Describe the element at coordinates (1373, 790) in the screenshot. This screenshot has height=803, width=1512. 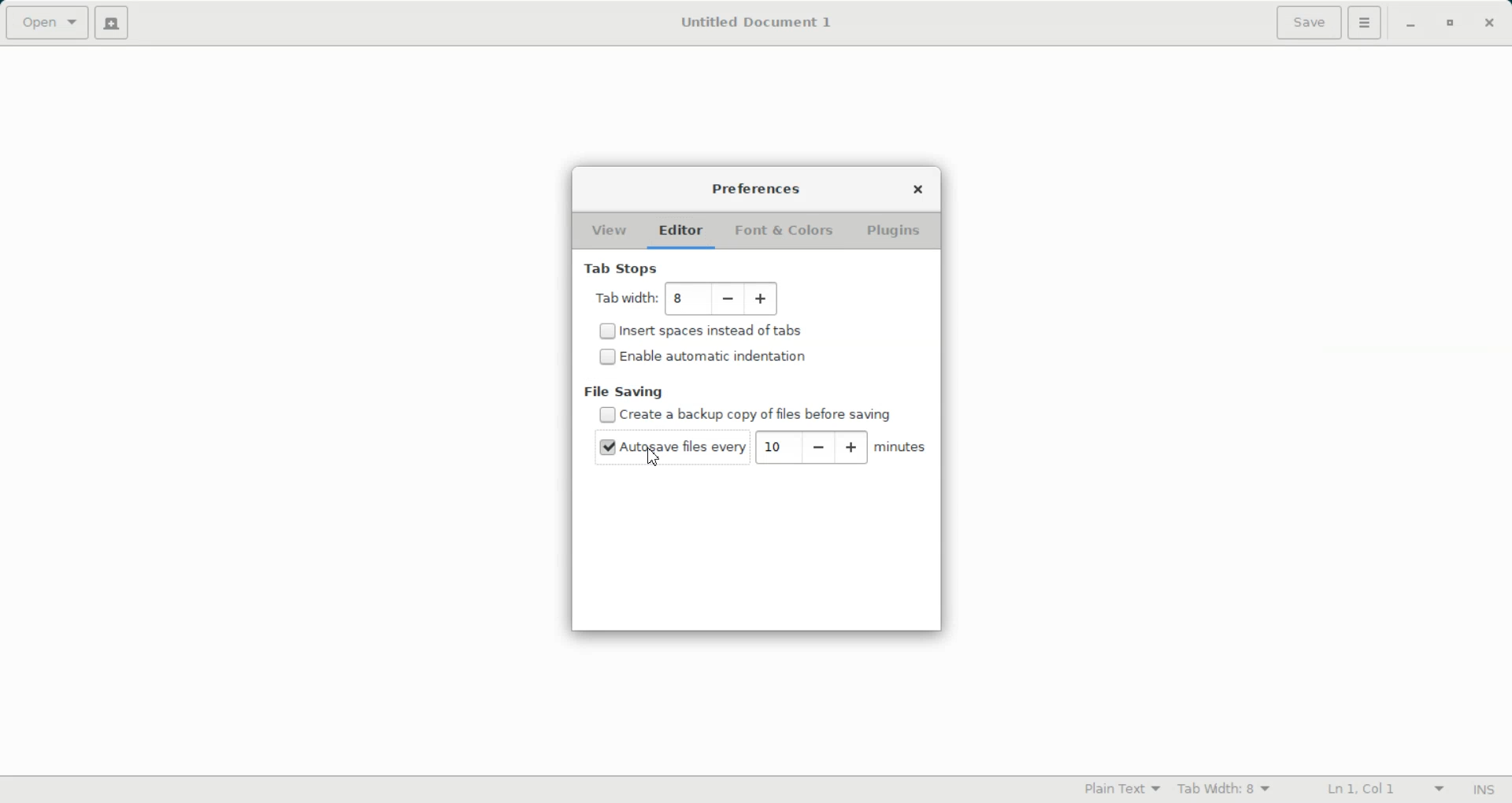
I see `Line Column` at that location.